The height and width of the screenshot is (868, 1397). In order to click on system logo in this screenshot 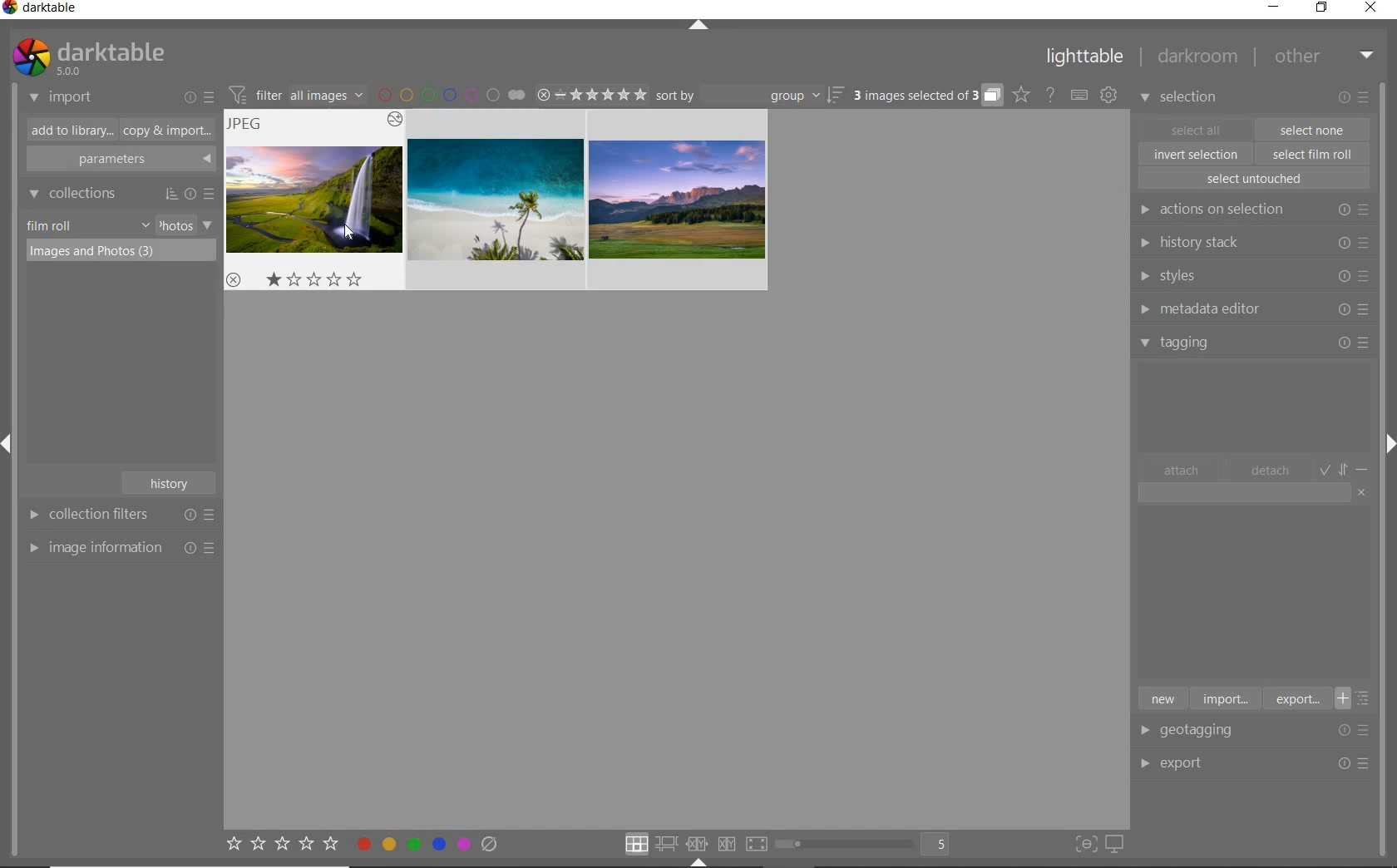, I will do `click(87, 57)`.